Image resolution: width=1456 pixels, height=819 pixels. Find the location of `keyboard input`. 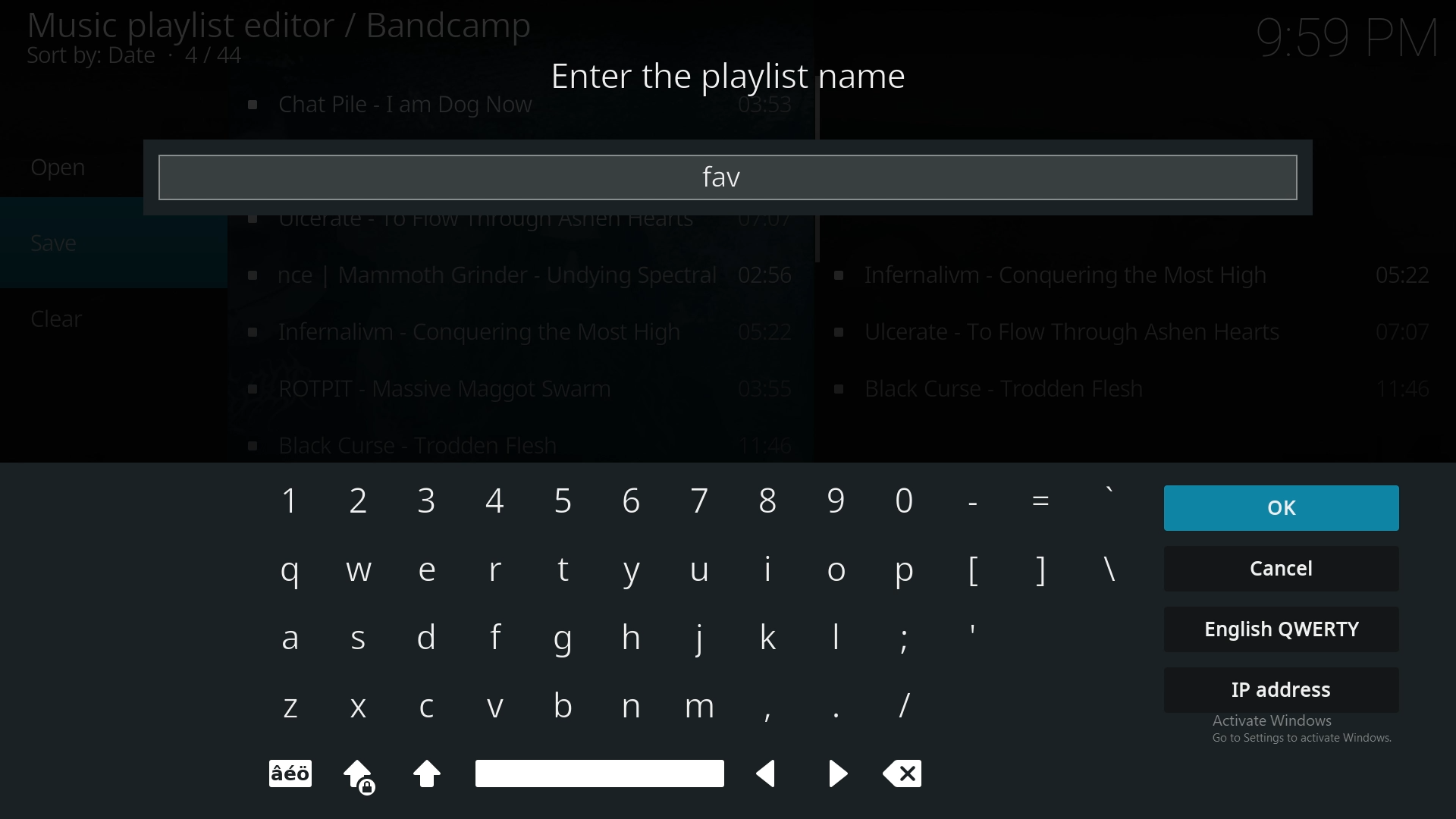

keyboard input is located at coordinates (908, 497).